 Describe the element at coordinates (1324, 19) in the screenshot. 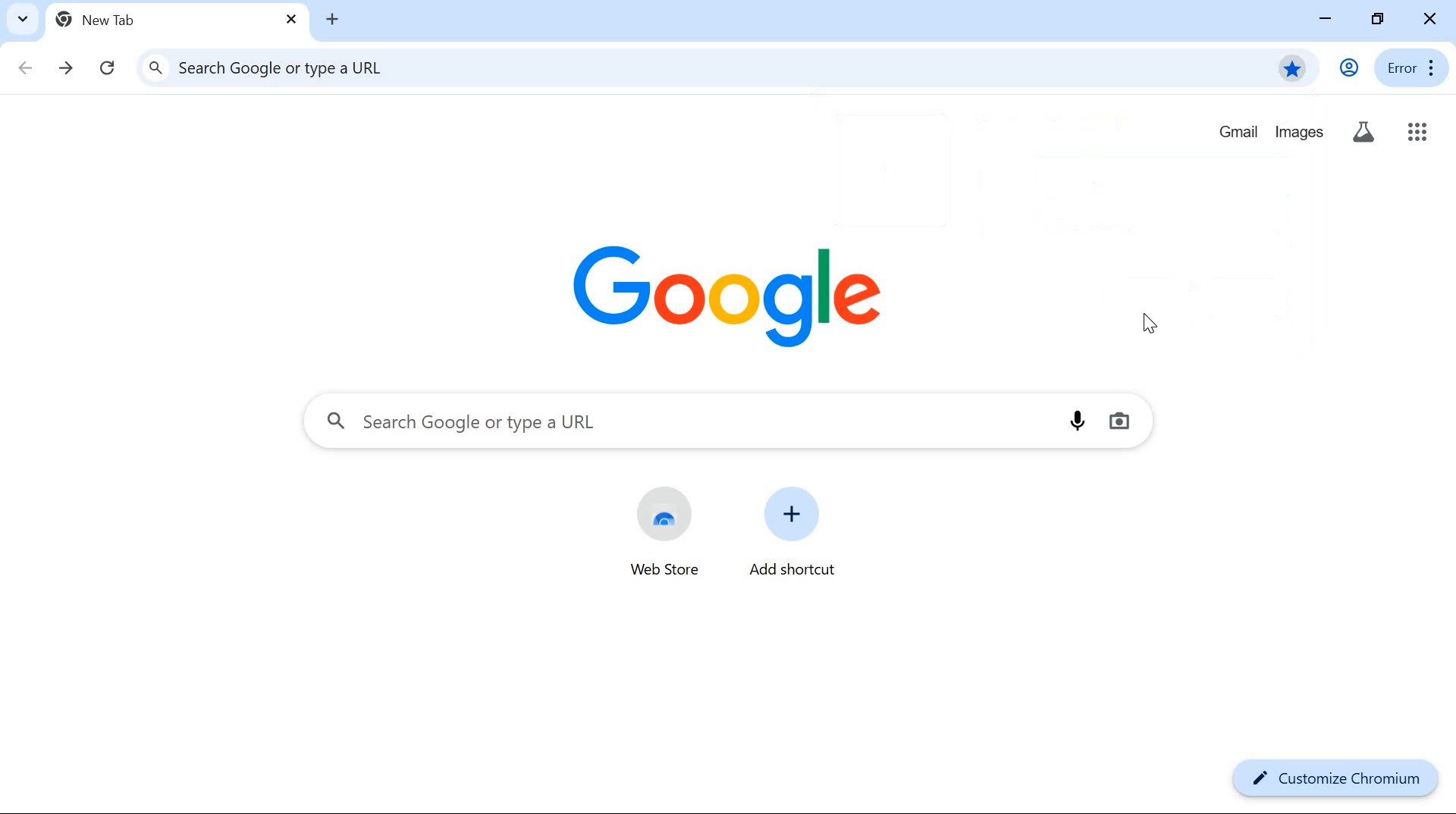

I see `minimize` at that location.